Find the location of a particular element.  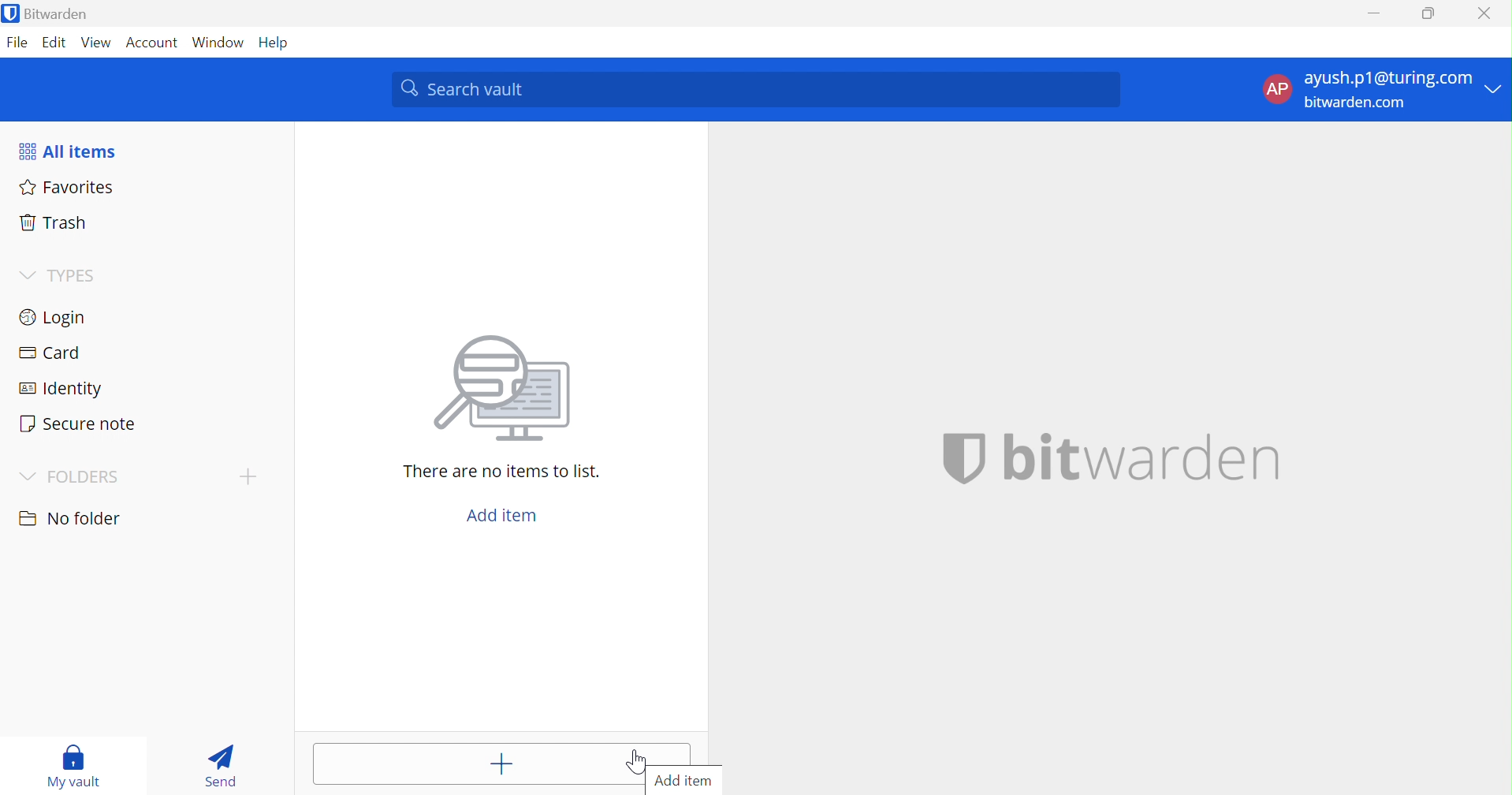

Secure note is located at coordinates (80, 426).